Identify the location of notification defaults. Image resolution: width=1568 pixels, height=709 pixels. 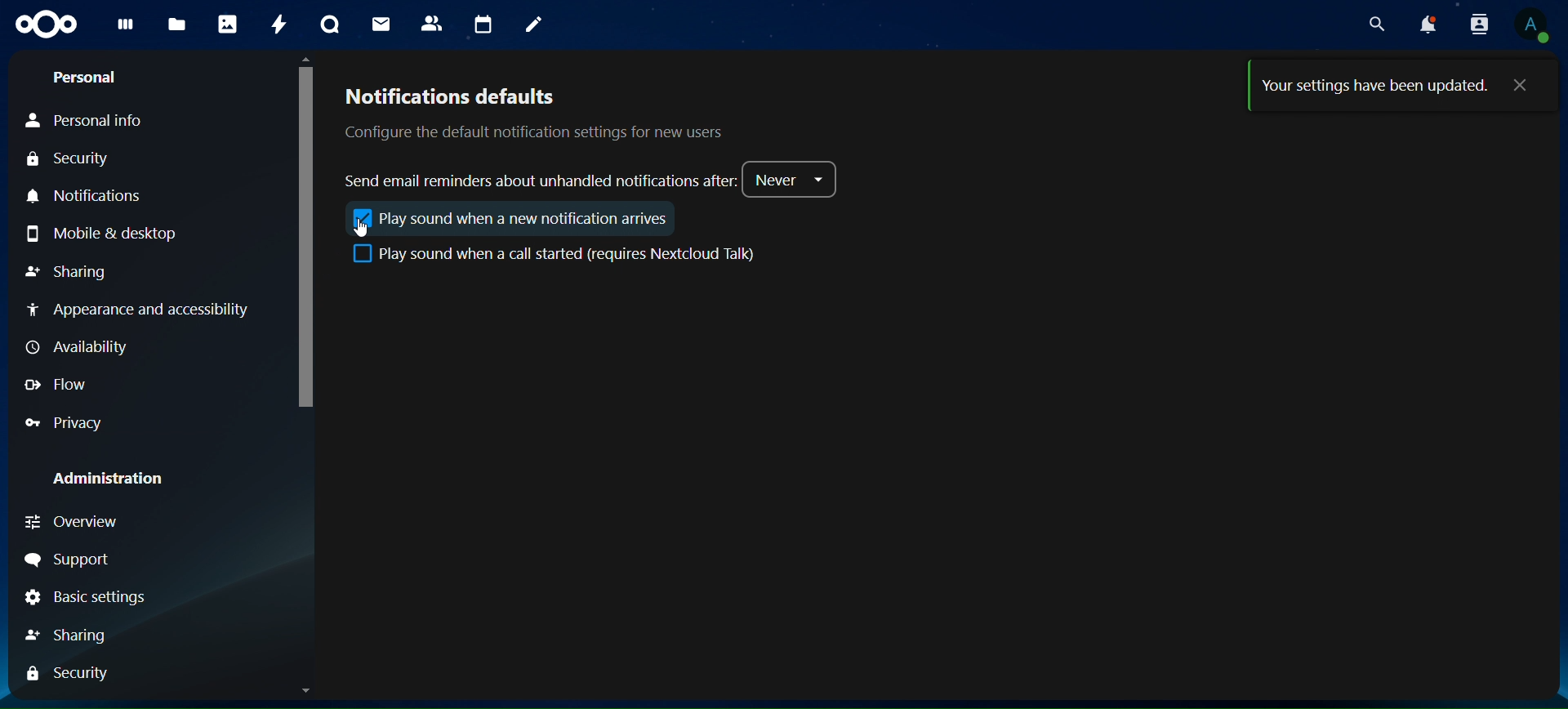
(554, 114).